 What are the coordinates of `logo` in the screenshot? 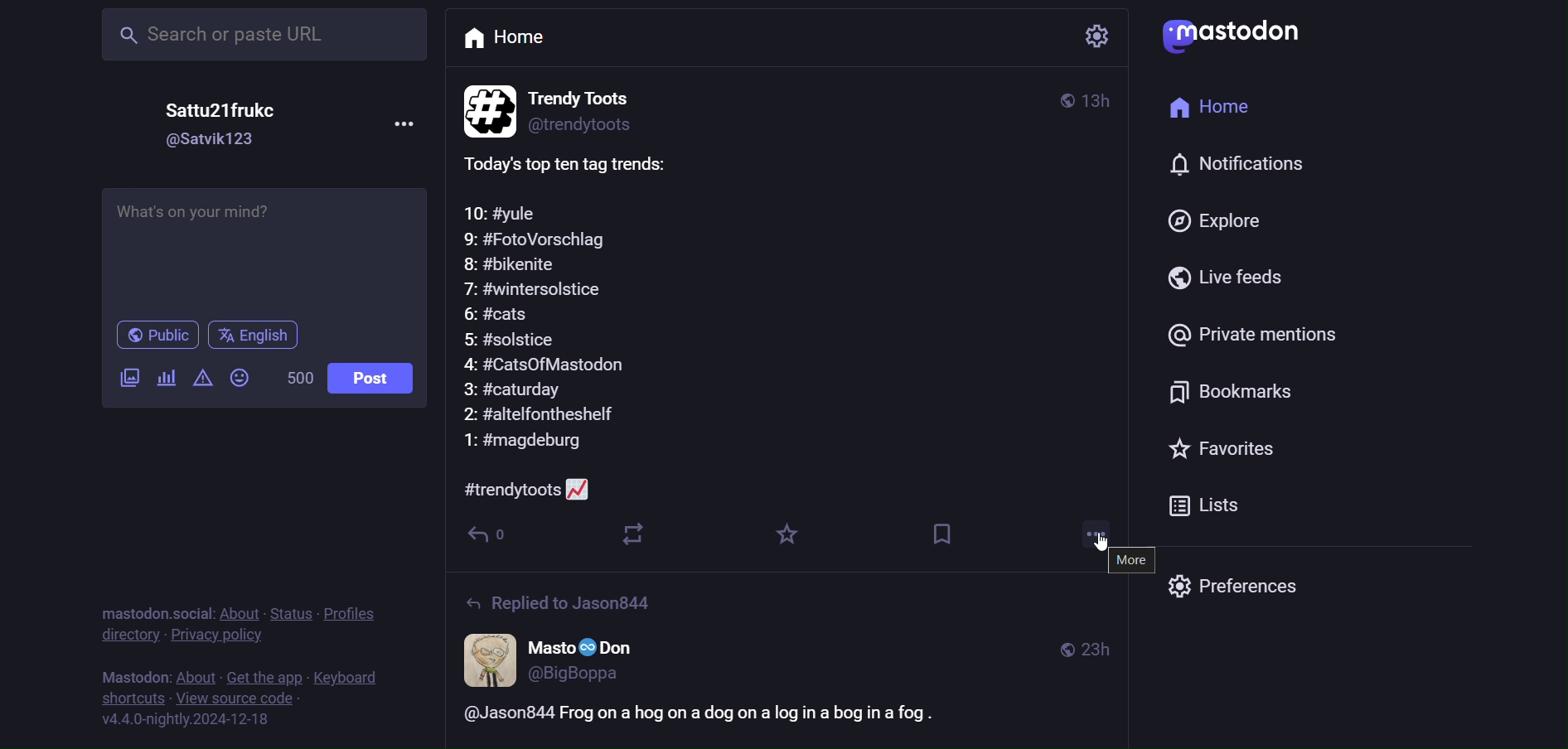 It's located at (1244, 38).